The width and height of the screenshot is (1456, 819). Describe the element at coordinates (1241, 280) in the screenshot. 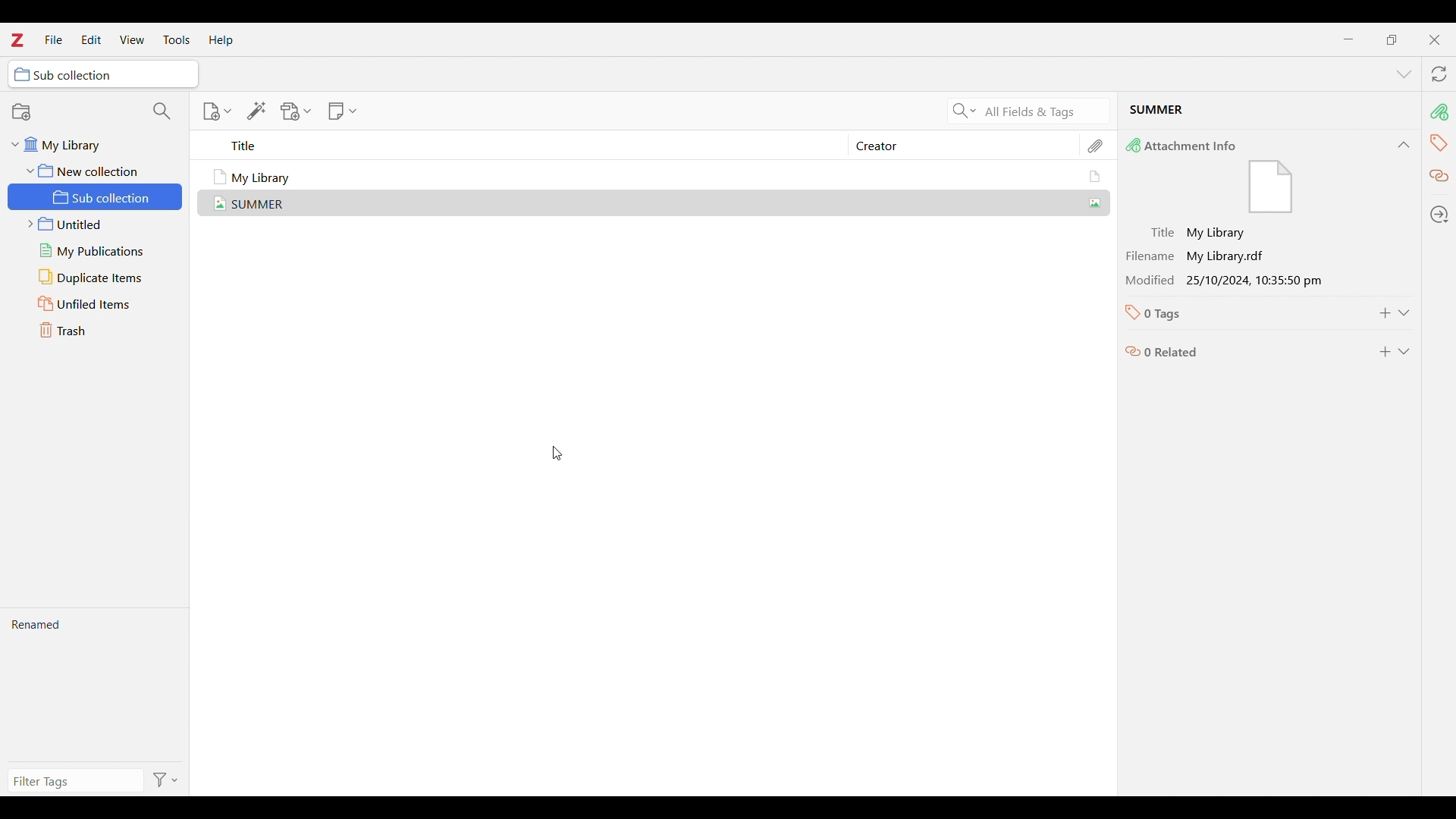

I see `Modification 25/10/2024 10:35:50 pm` at that location.